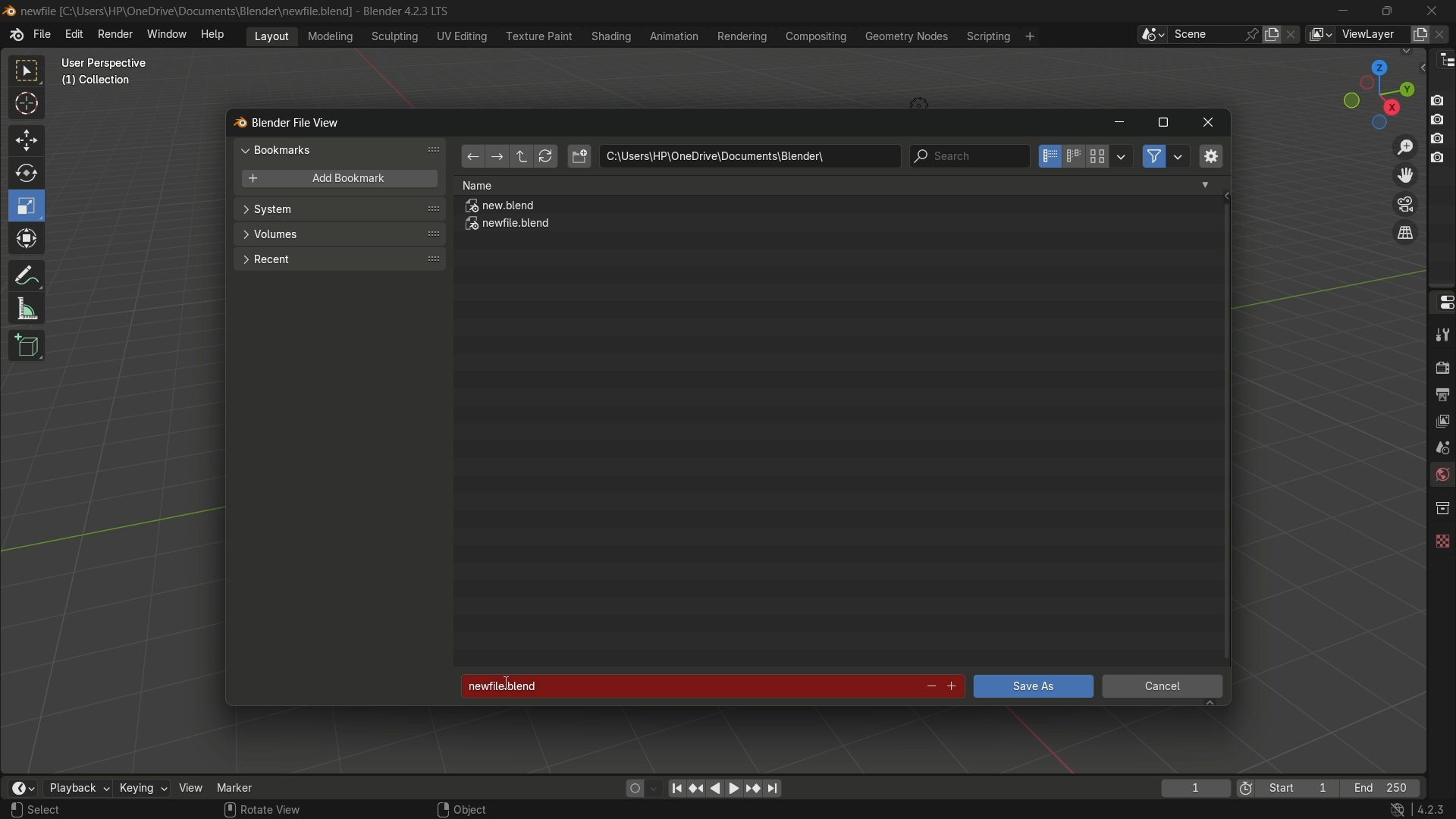 The width and height of the screenshot is (1456, 819). Describe the element at coordinates (1179, 156) in the screenshot. I see `filter settings` at that location.